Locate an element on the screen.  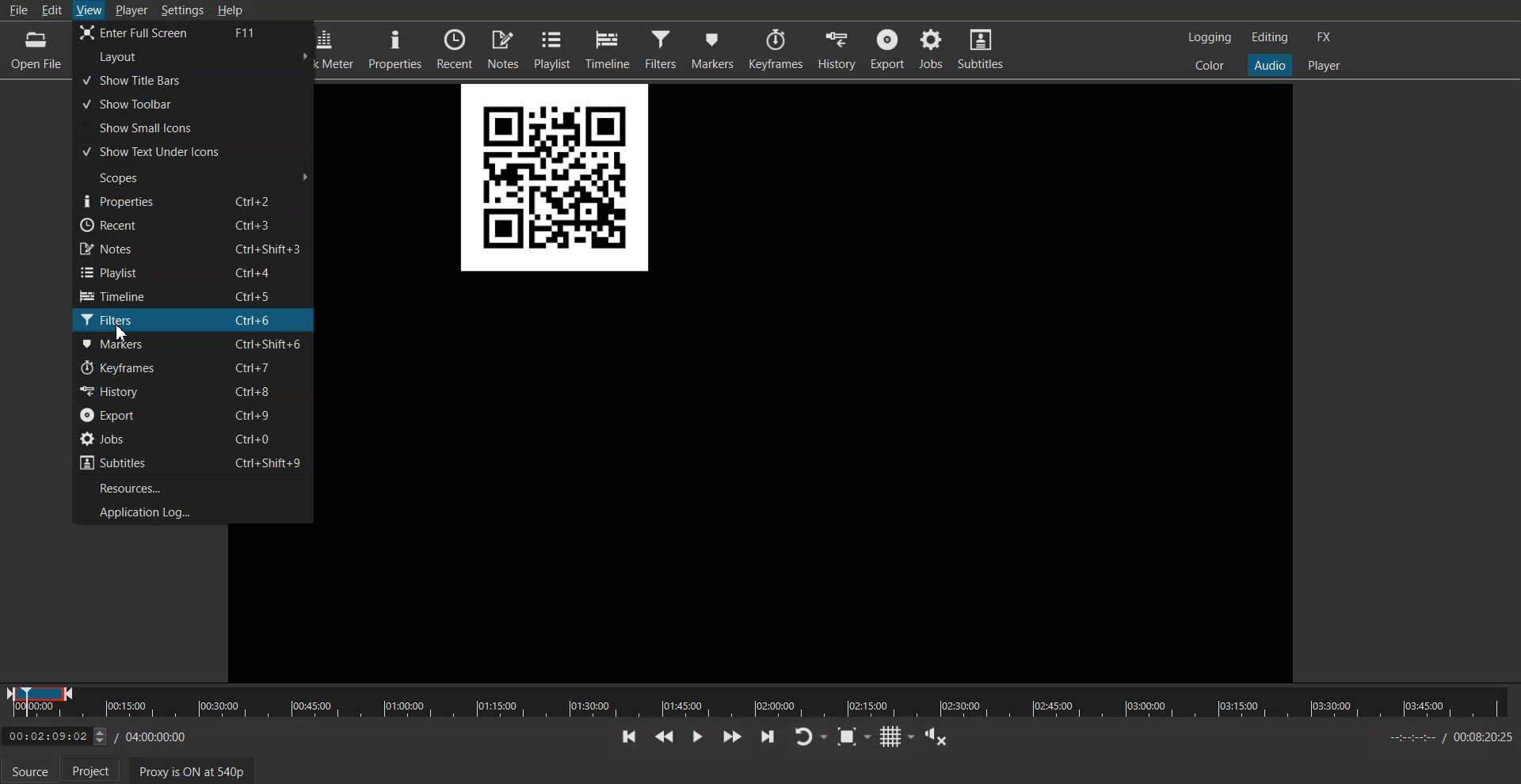
Play Quickly backwards is located at coordinates (665, 736).